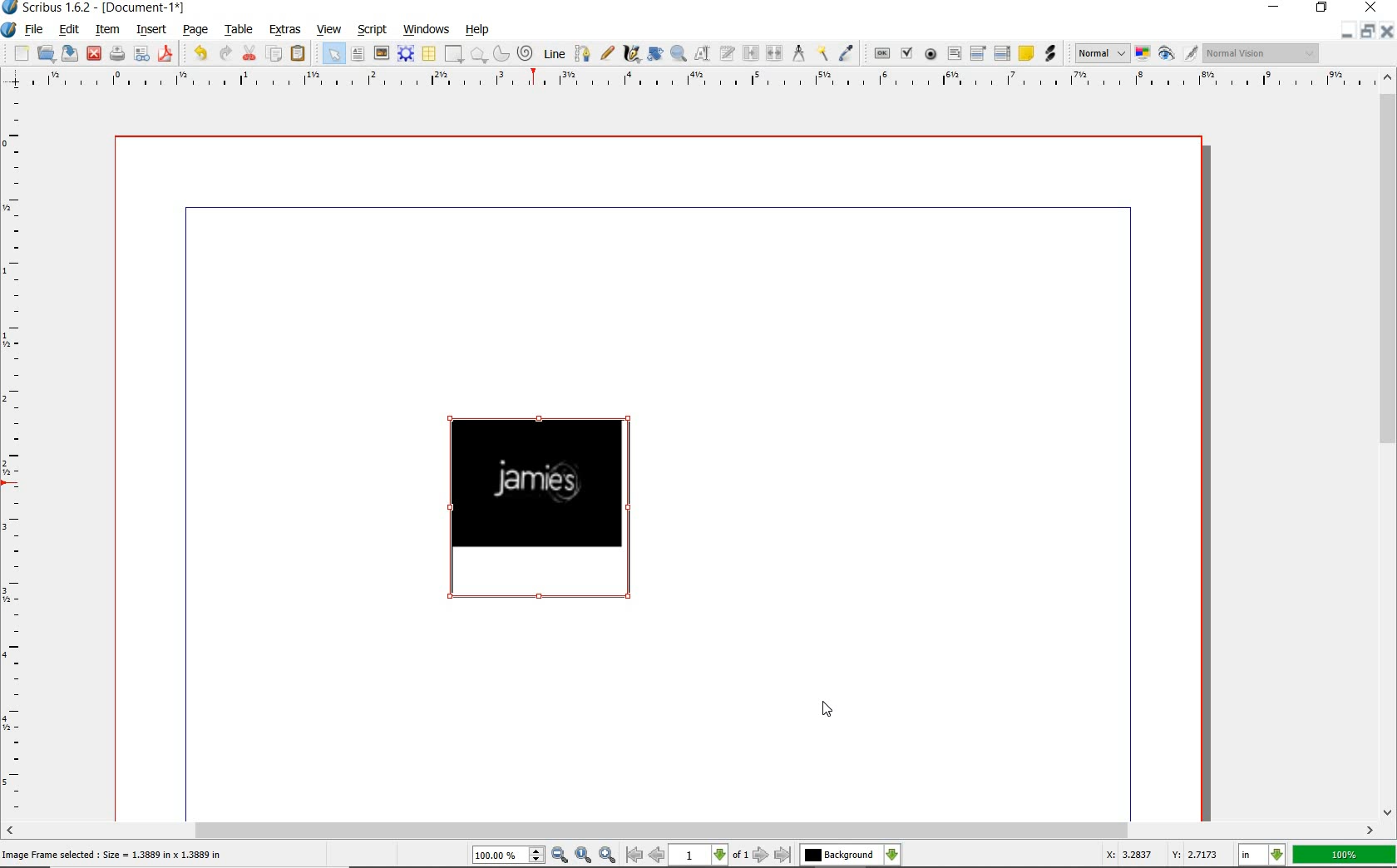  What do you see at coordinates (1050, 52) in the screenshot?
I see `link annotation` at bounding box center [1050, 52].